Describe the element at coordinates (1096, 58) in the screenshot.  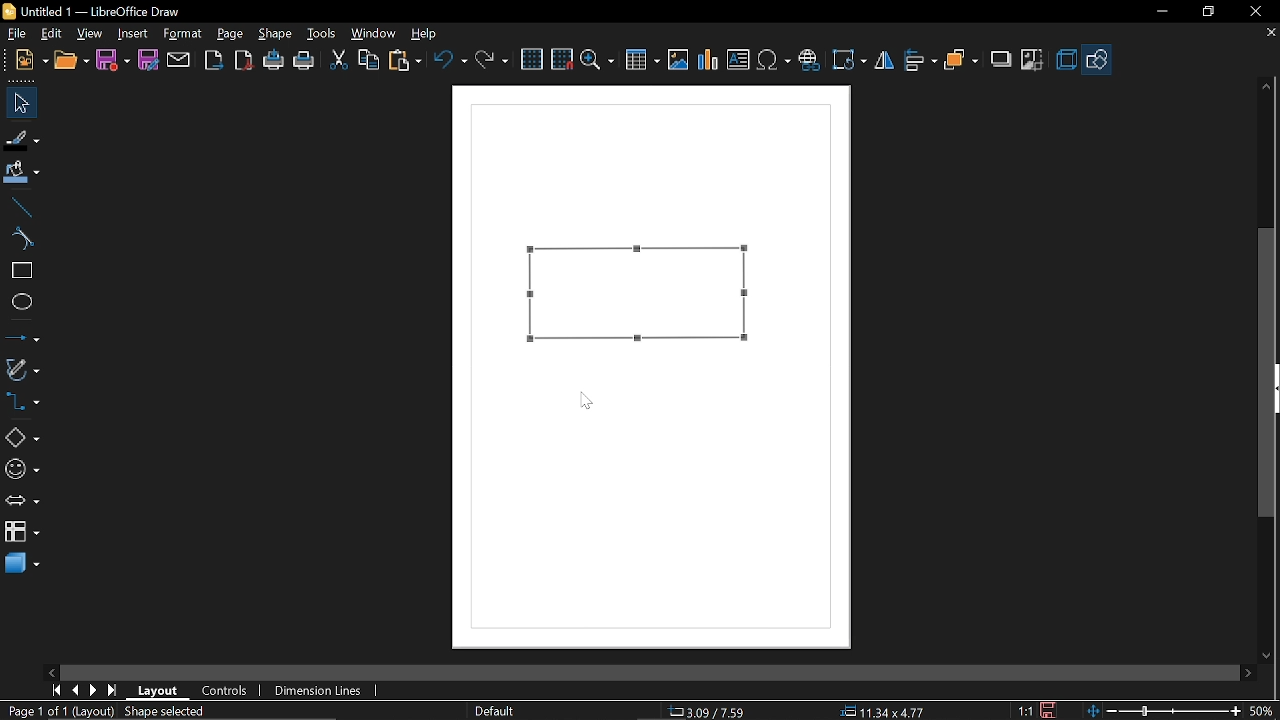
I see `shapes` at that location.